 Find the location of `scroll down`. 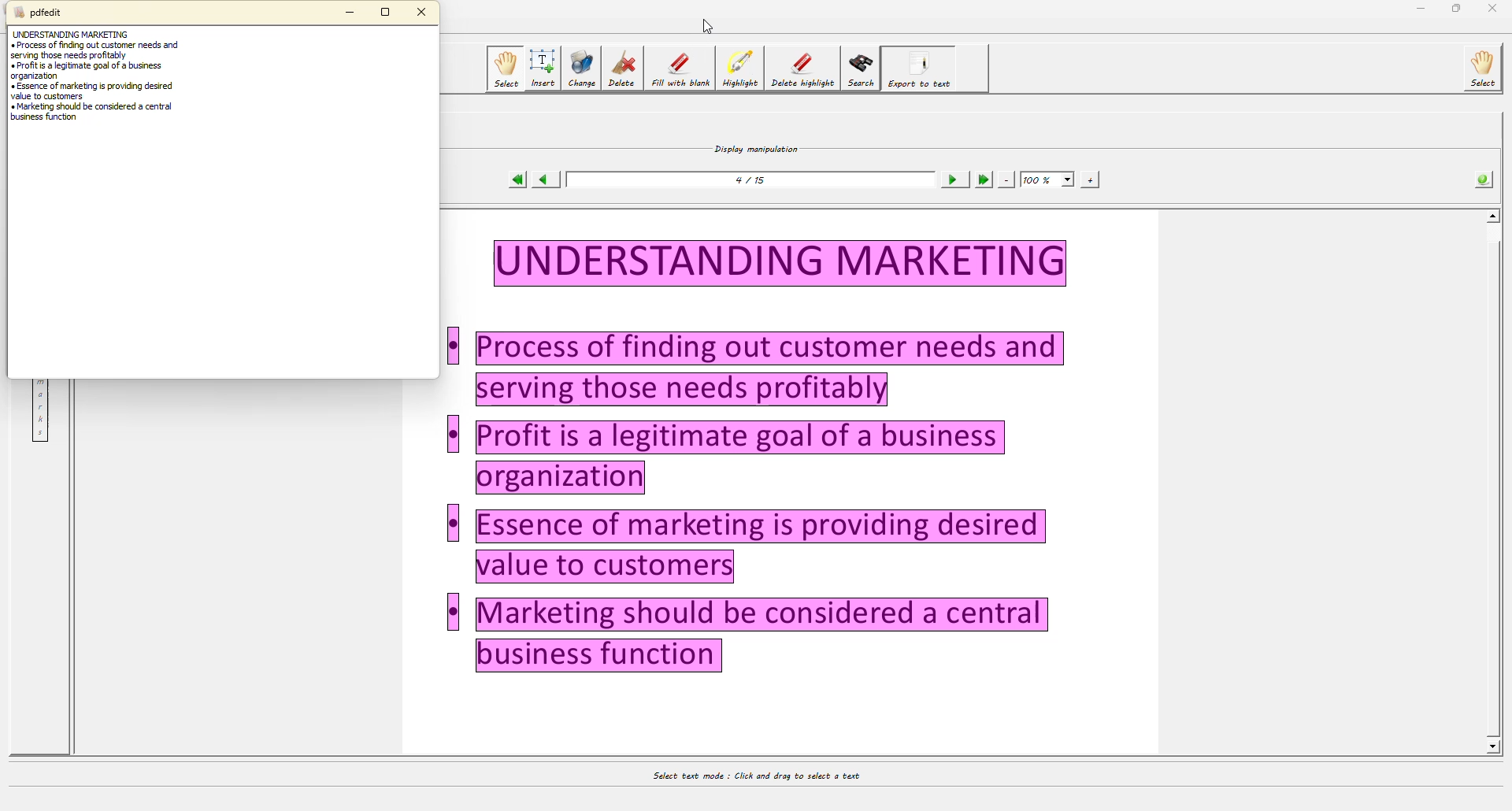

scroll down is located at coordinates (1493, 742).